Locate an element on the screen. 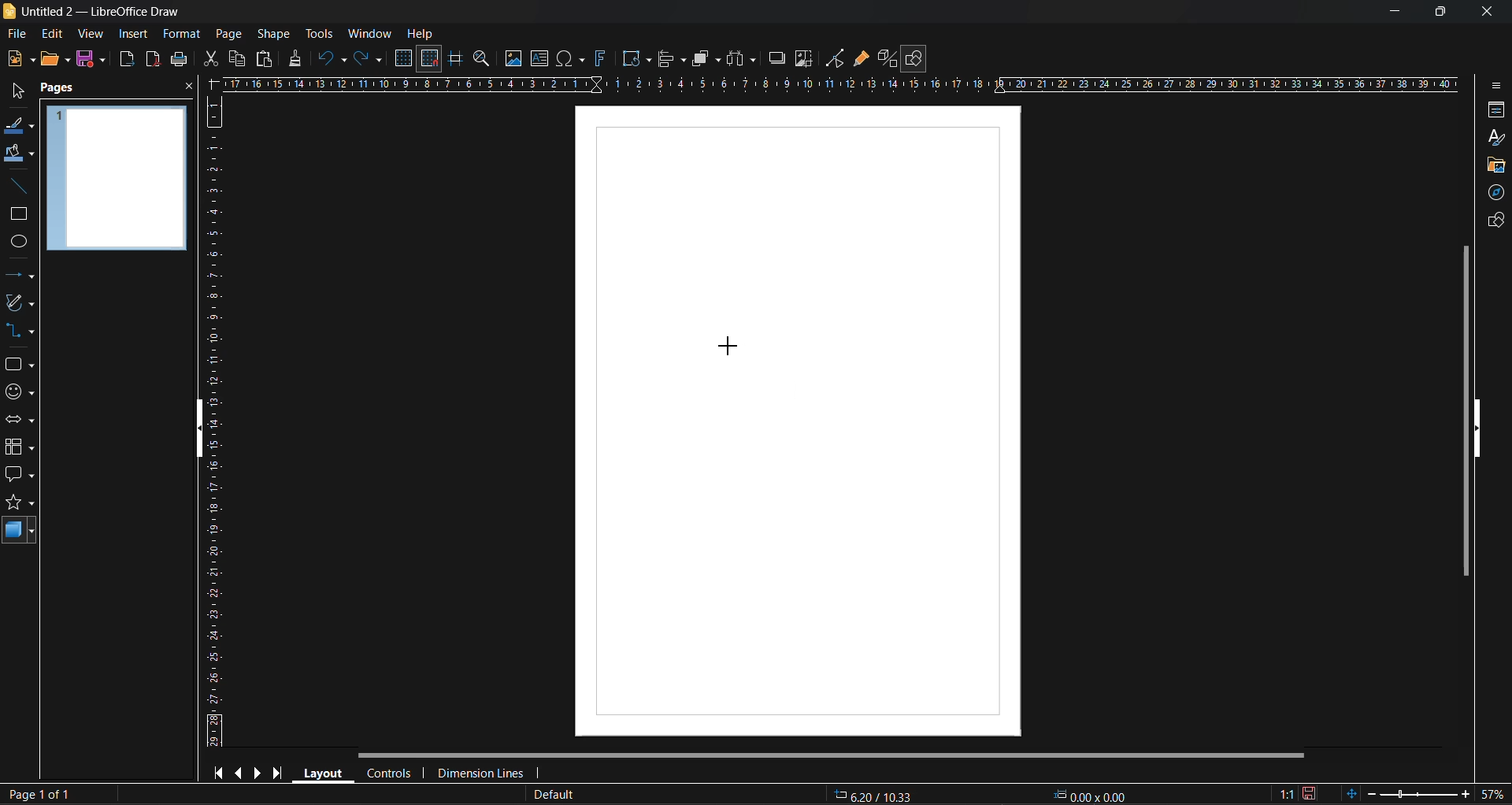 The image size is (1512, 805). fill color is located at coordinates (19, 154).